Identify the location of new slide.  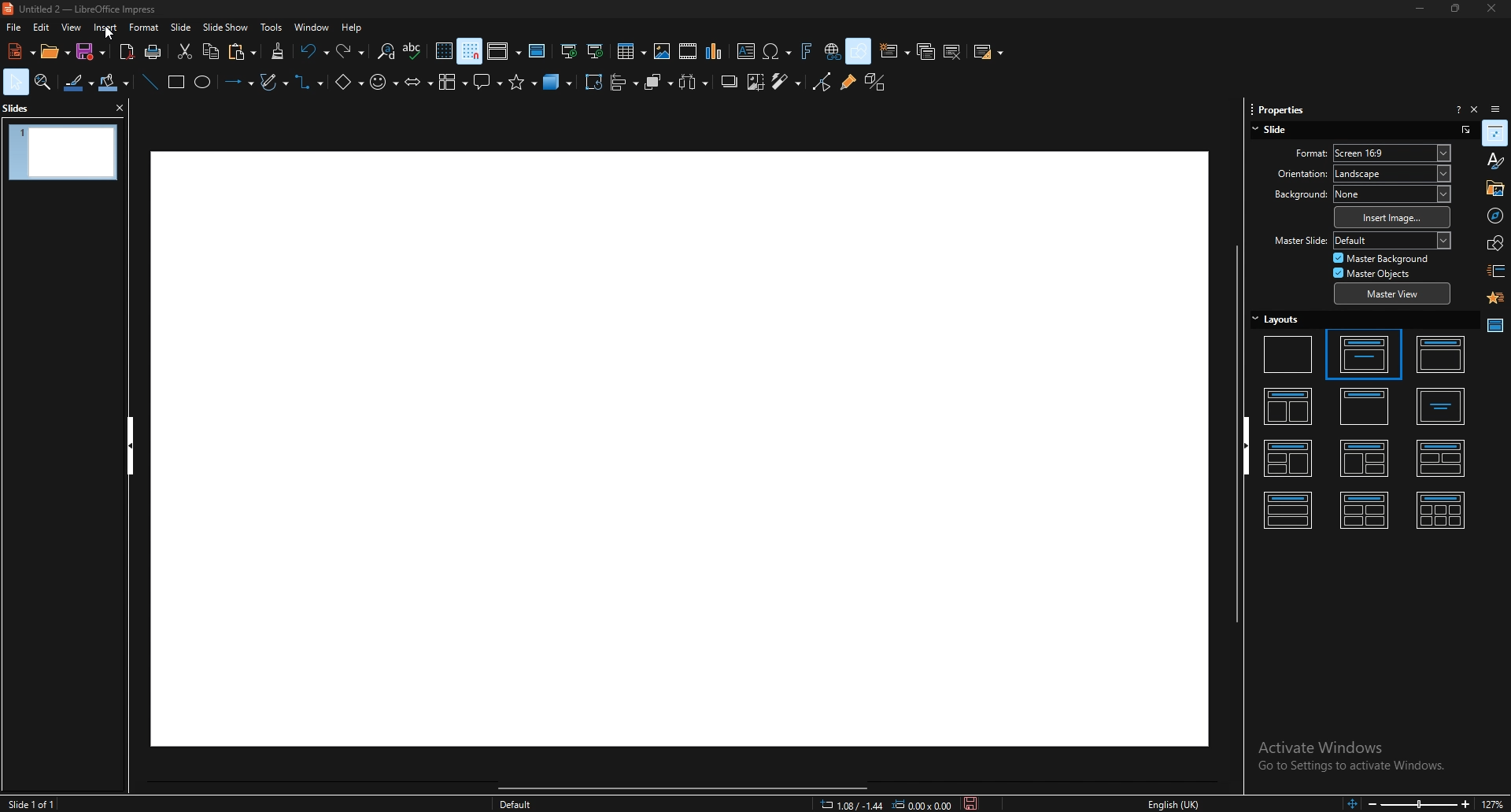
(896, 51).